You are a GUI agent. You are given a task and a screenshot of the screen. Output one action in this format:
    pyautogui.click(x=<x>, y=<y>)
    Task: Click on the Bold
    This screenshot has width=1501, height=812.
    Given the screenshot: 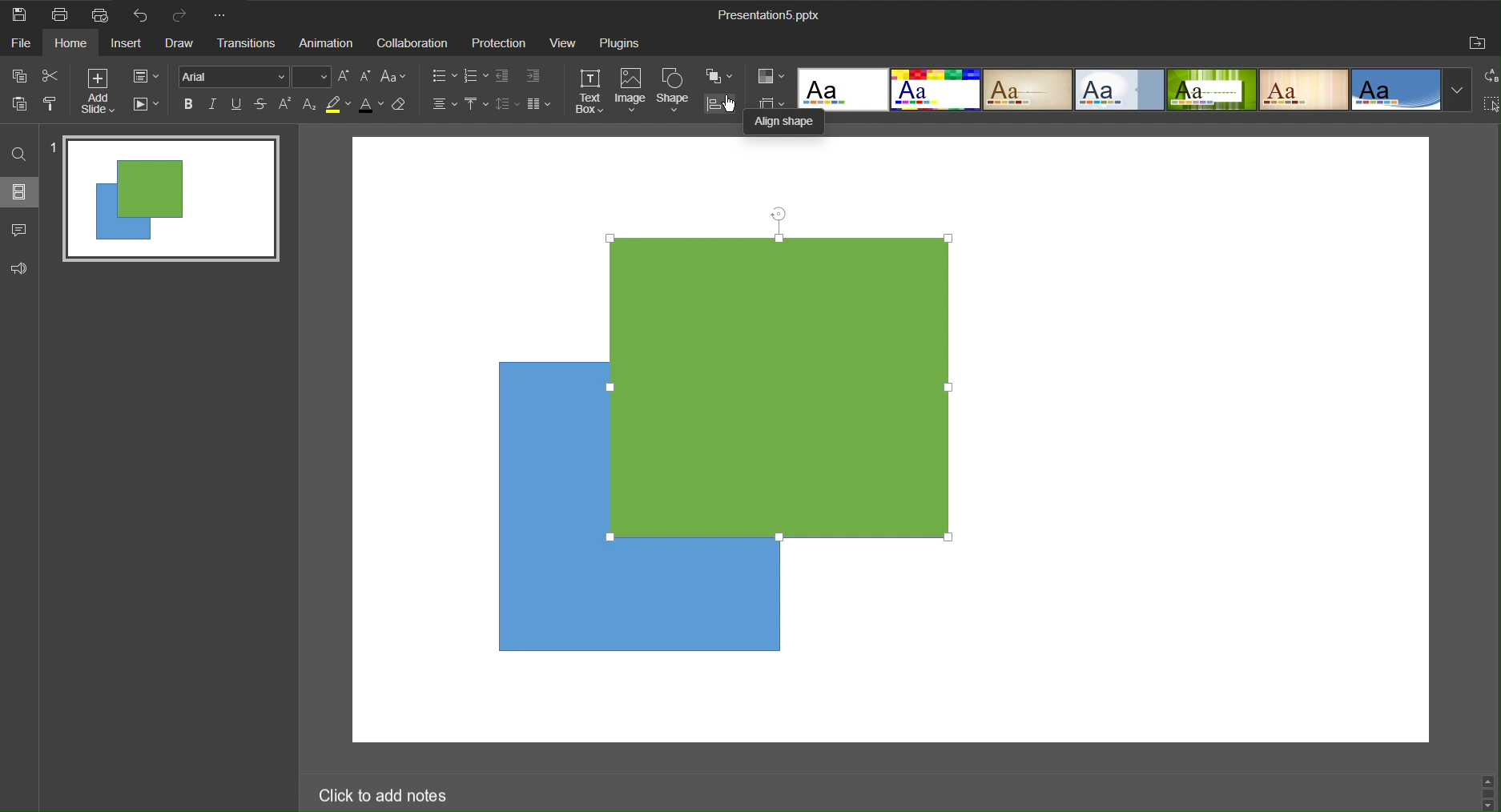 What is the action you would take?
    pyautogui.click(x=187, y=103)
    